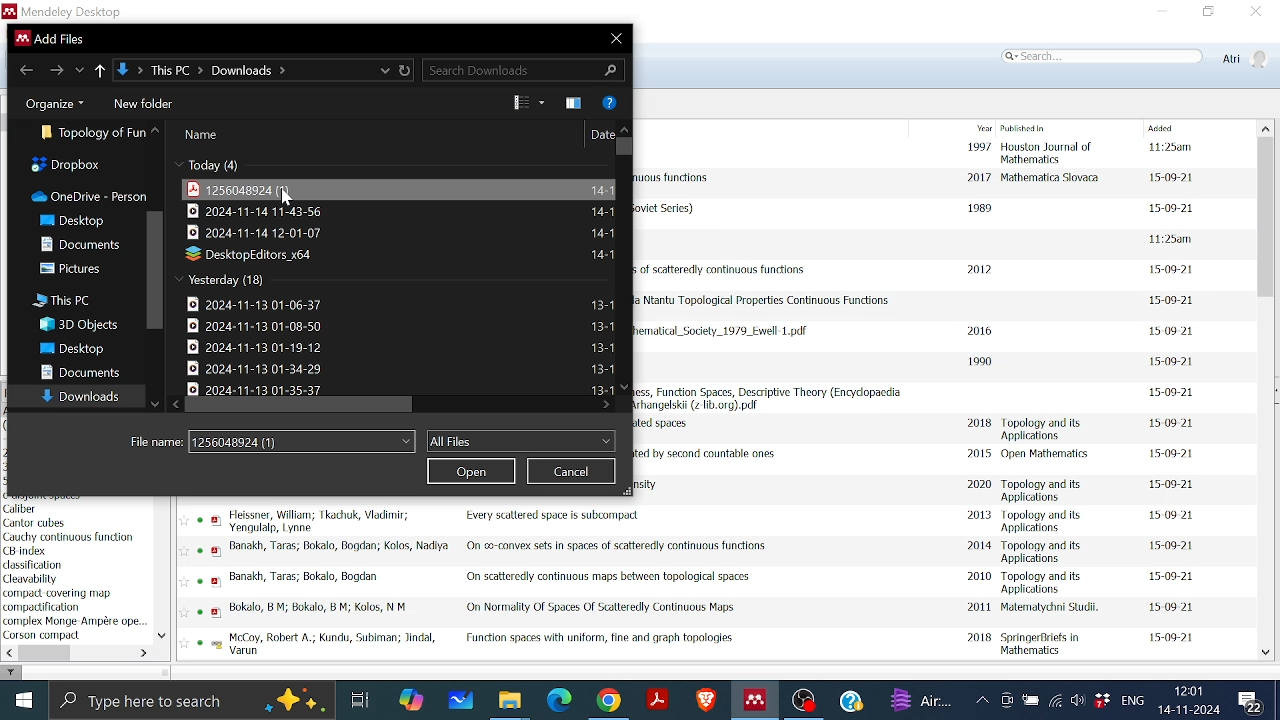 Image resolution: width=1280 pixels, height=720 pixels. What do you see at coordinates (1172, 546) in the screenshot?
I see `date` at bounding box center [1172, 546].